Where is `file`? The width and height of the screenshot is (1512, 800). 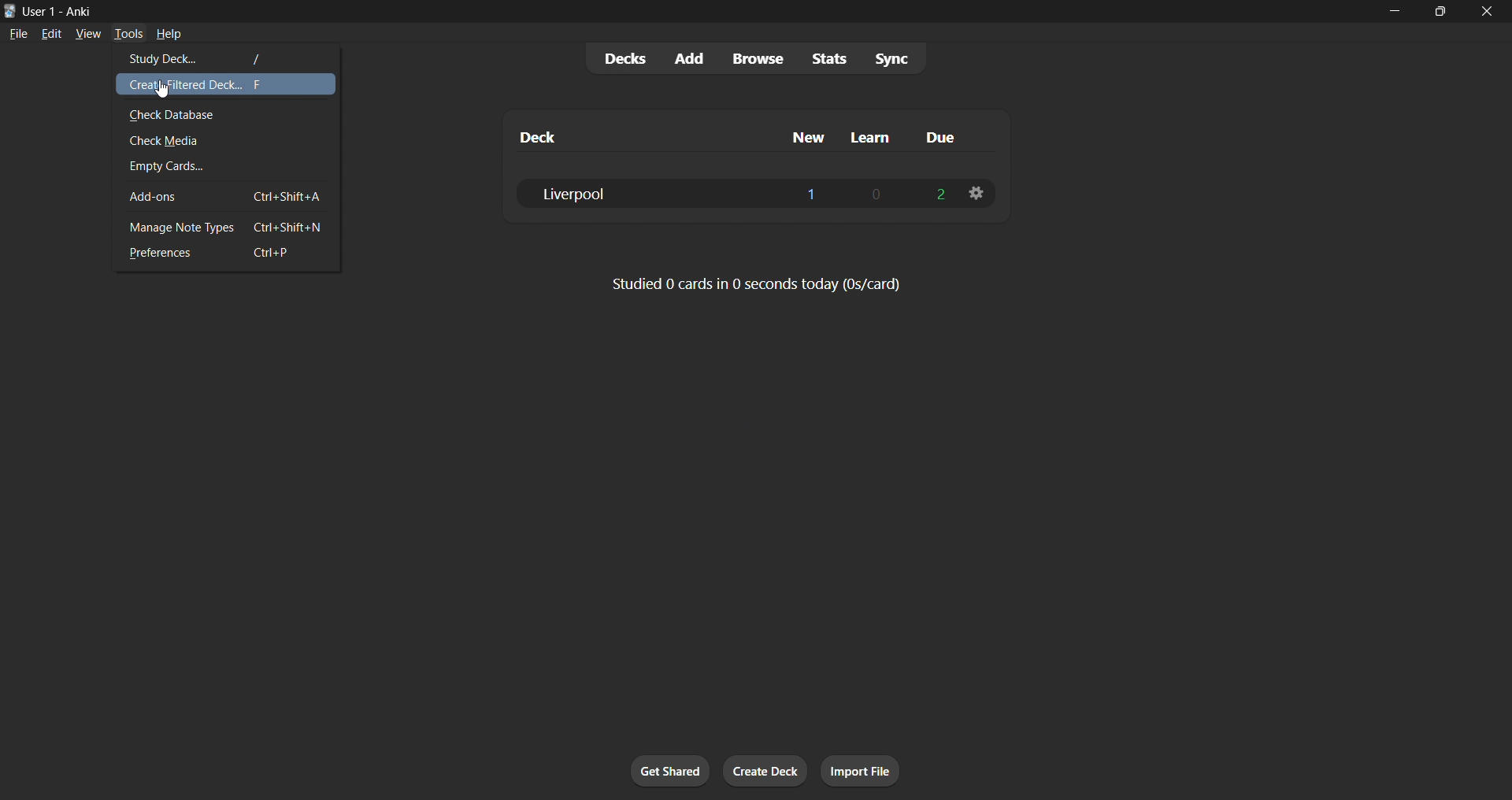
file is located at coordinates (16, 34).